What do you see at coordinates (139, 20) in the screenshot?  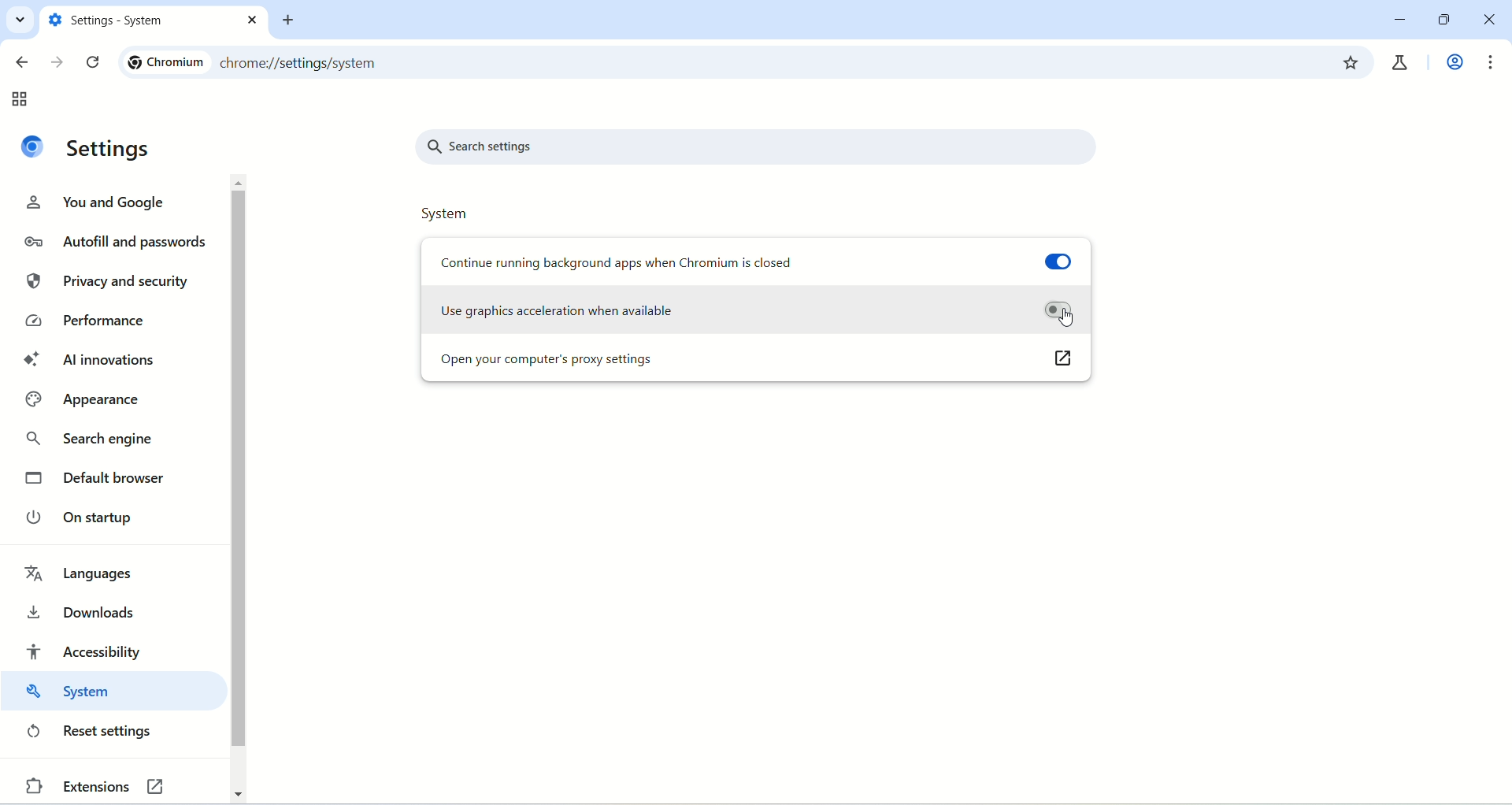 I see `setting - system` at bounding box center [139, 20].